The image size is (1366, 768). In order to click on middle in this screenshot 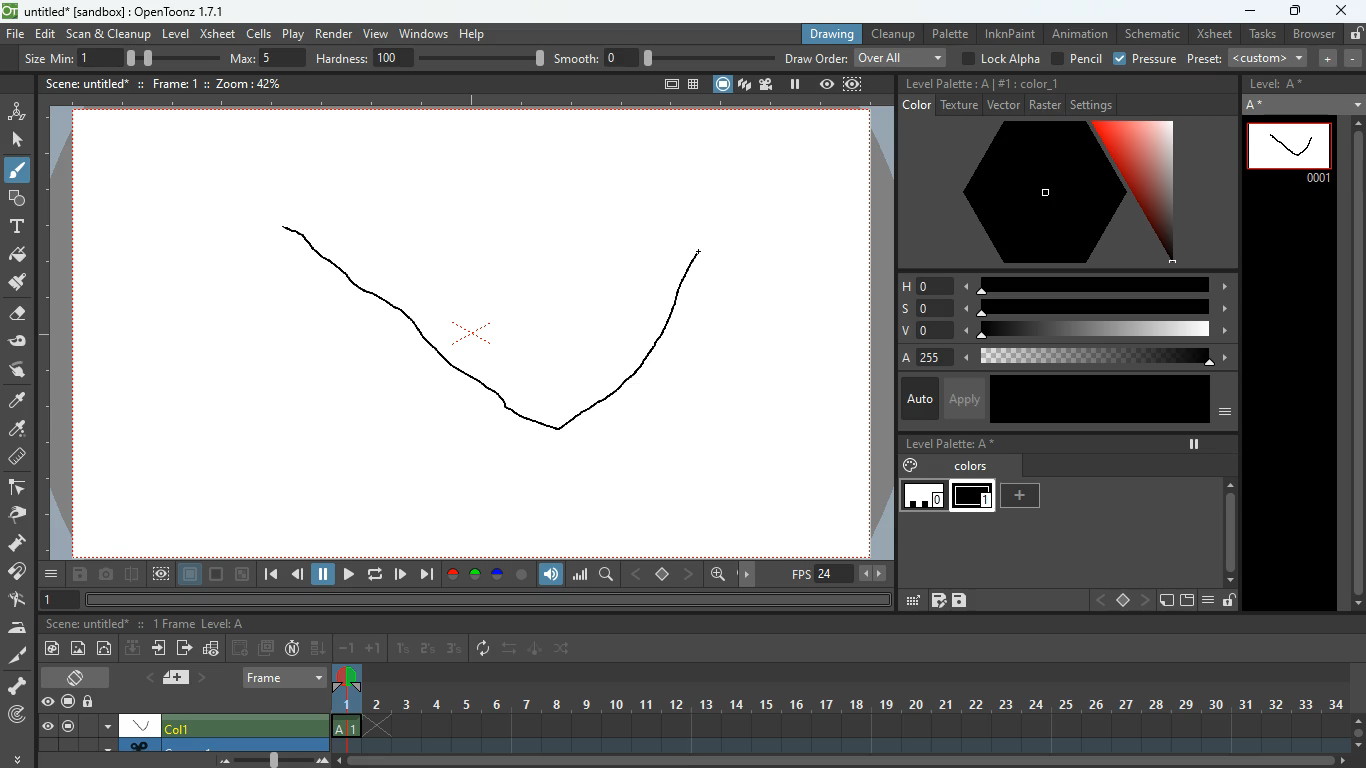, I will do `click(1124, 600)`.